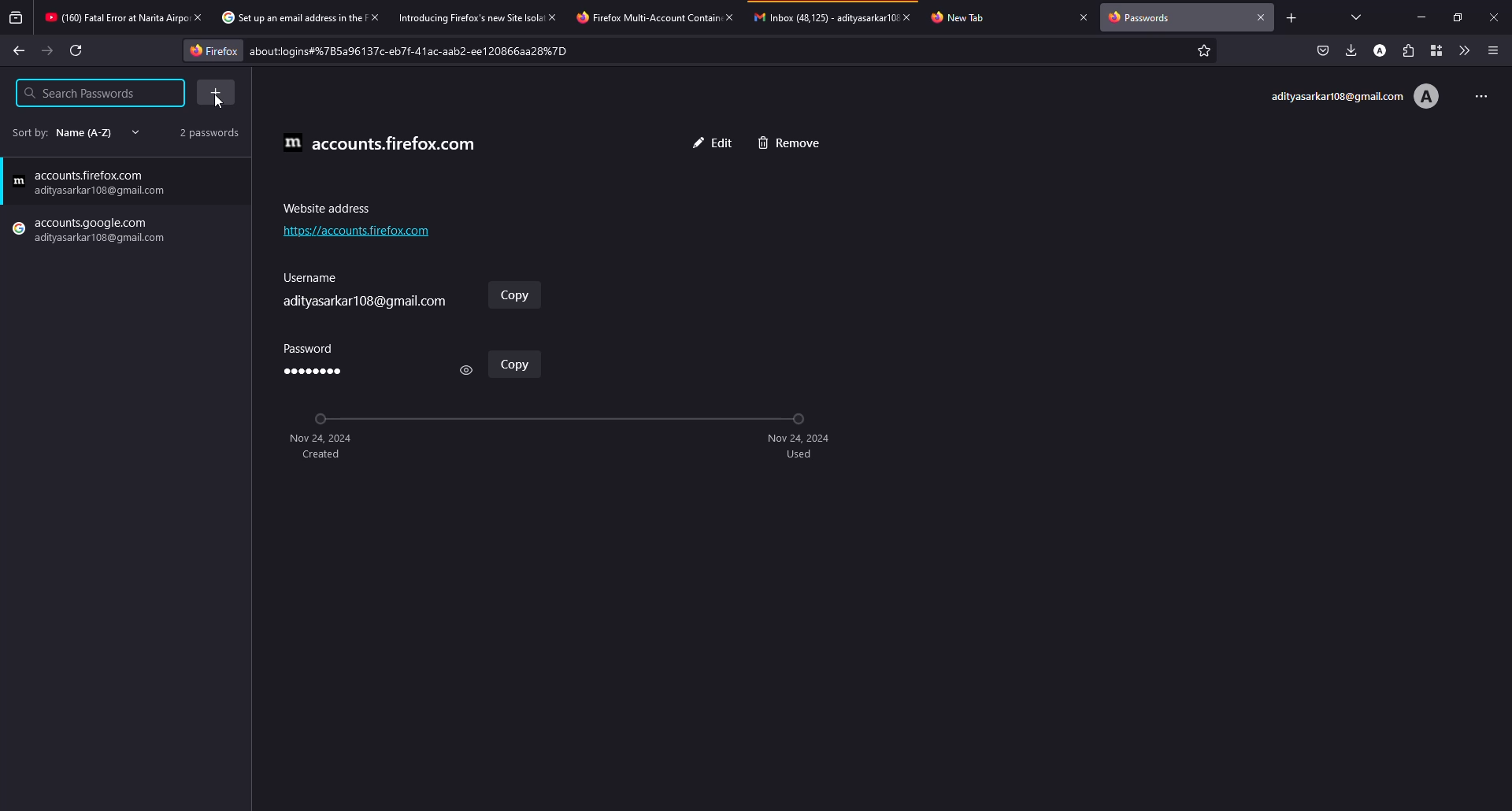 The width and height of the screenshot is (1512, 811). What do you see at coordinates (644, 17) in the screenshot?
I see `tab` at bounding box center [644, 17].